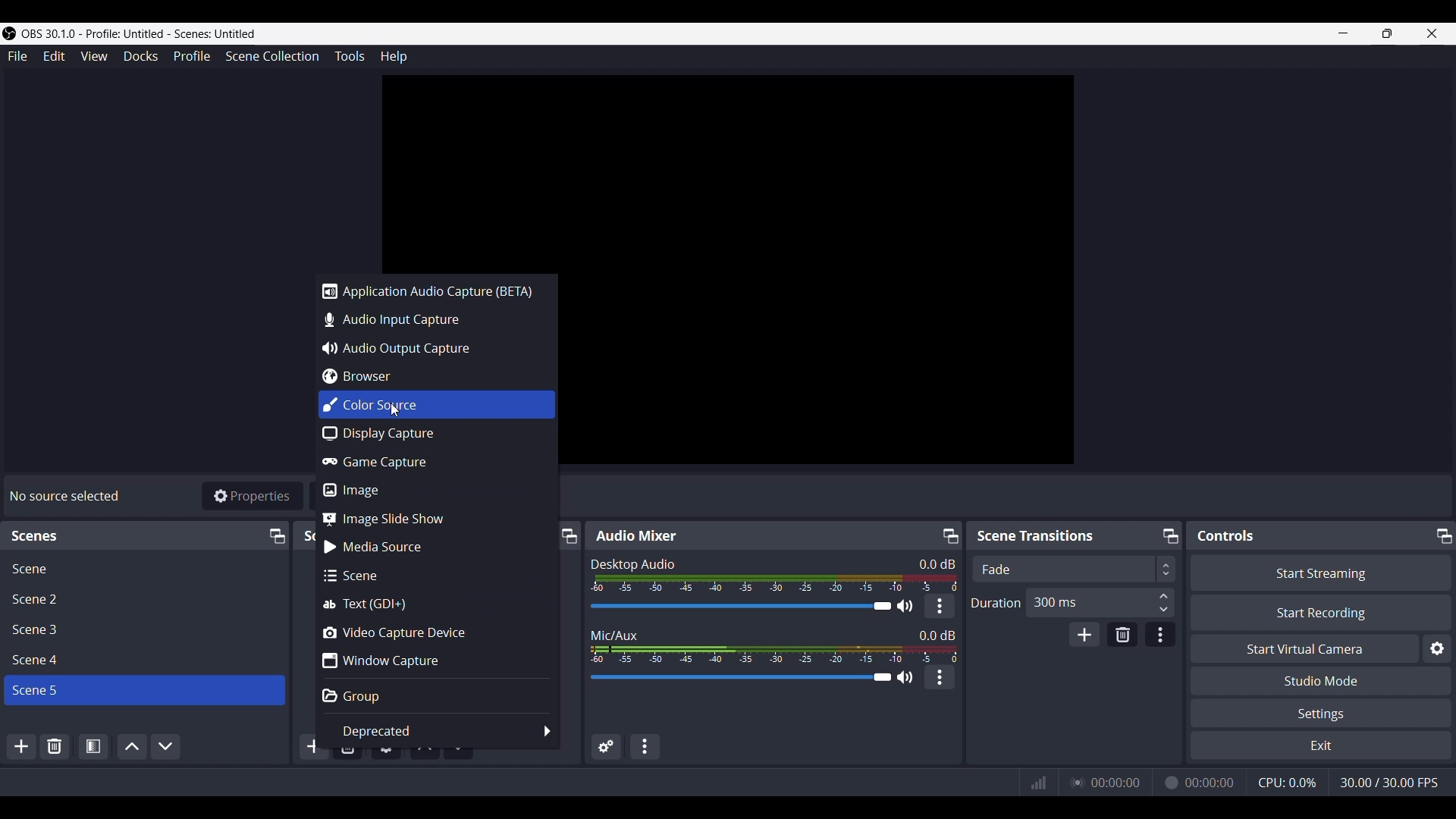 The image size is (1456, 819). What do you see at coordinates (143, 566) in the screenshot?
I see `Scene File` at bounding box center [143, 566].